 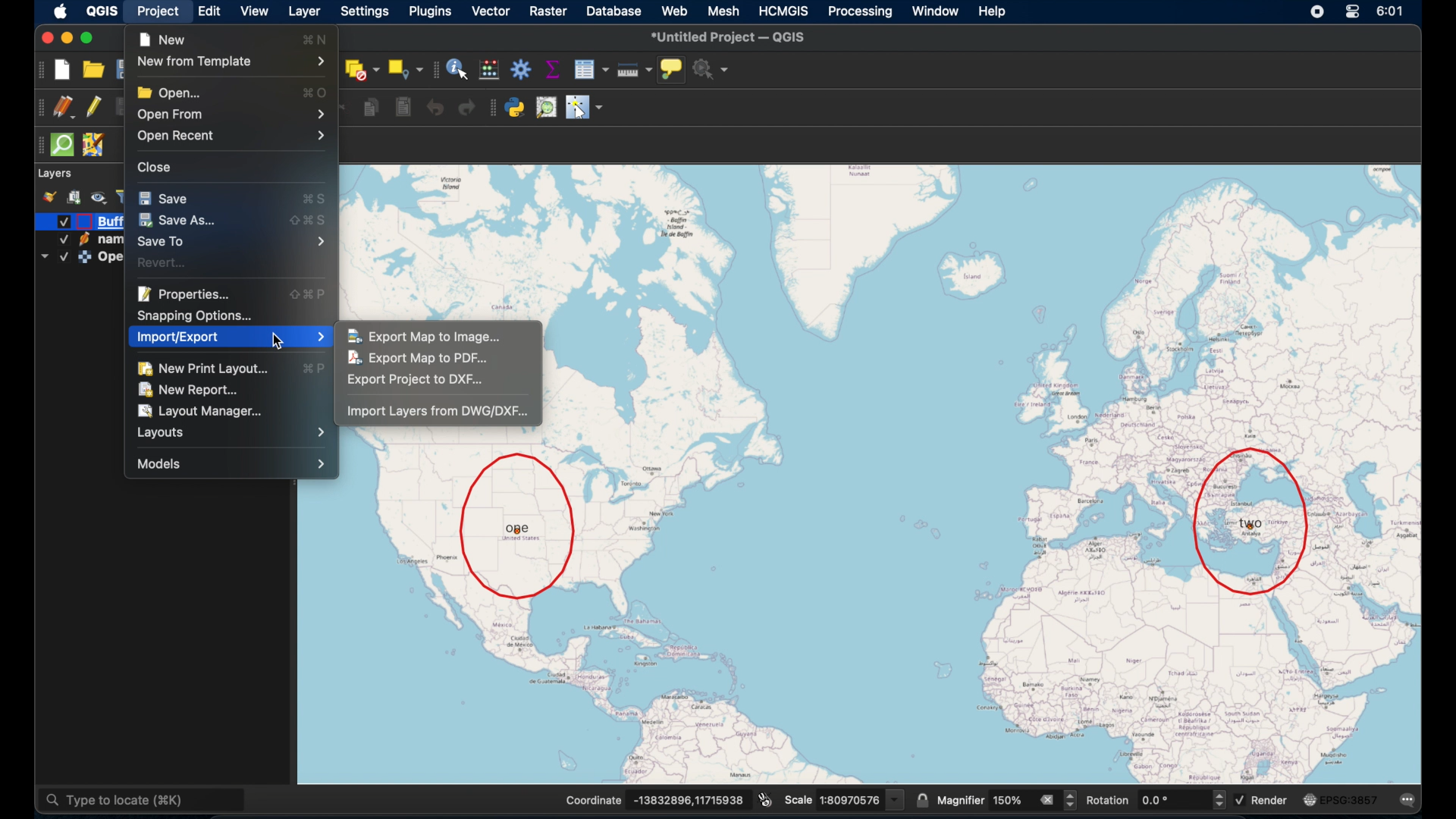 I want to click on remove all, so click(x=1046, y=799).